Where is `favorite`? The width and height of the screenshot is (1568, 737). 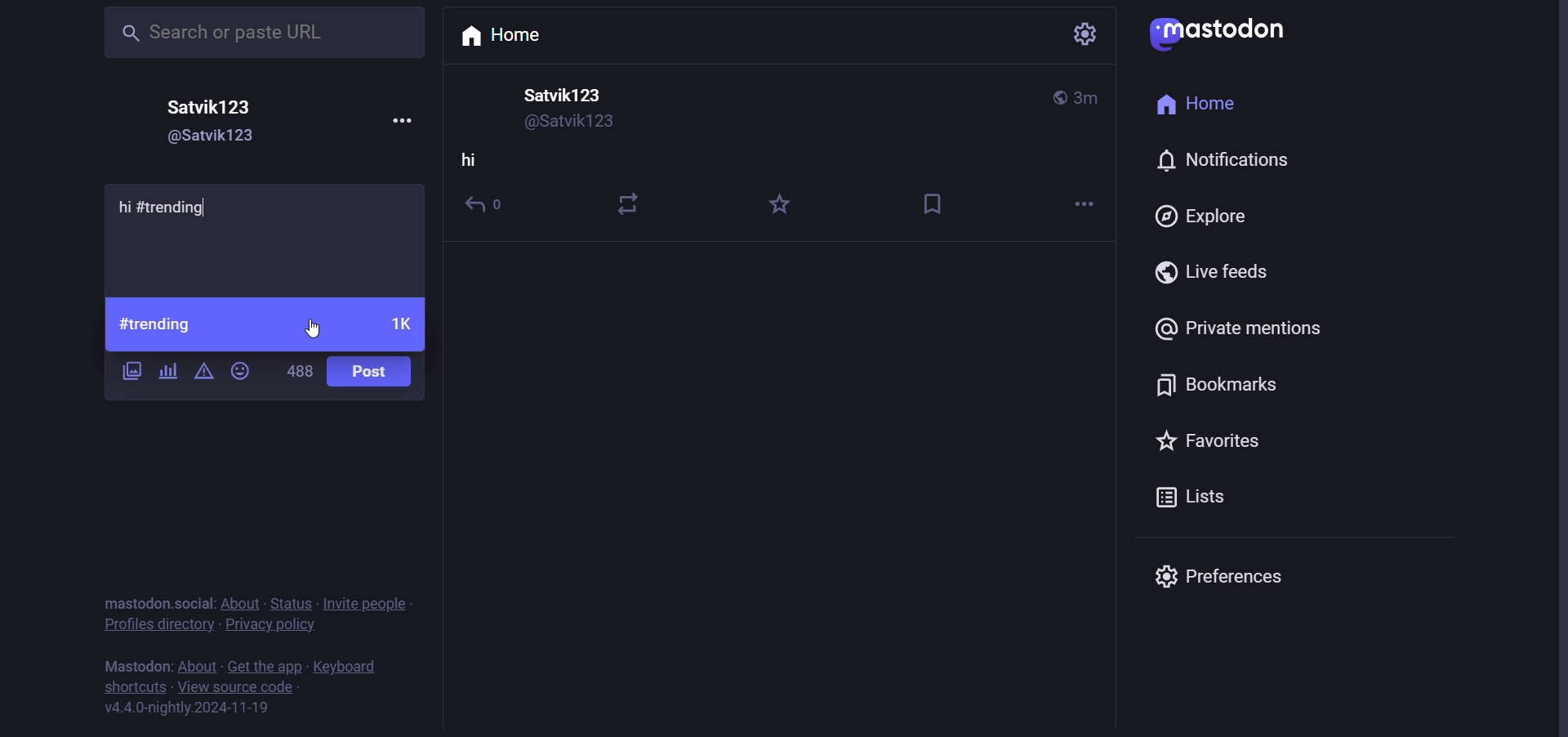 favorite is located at coordinates (780, 206).